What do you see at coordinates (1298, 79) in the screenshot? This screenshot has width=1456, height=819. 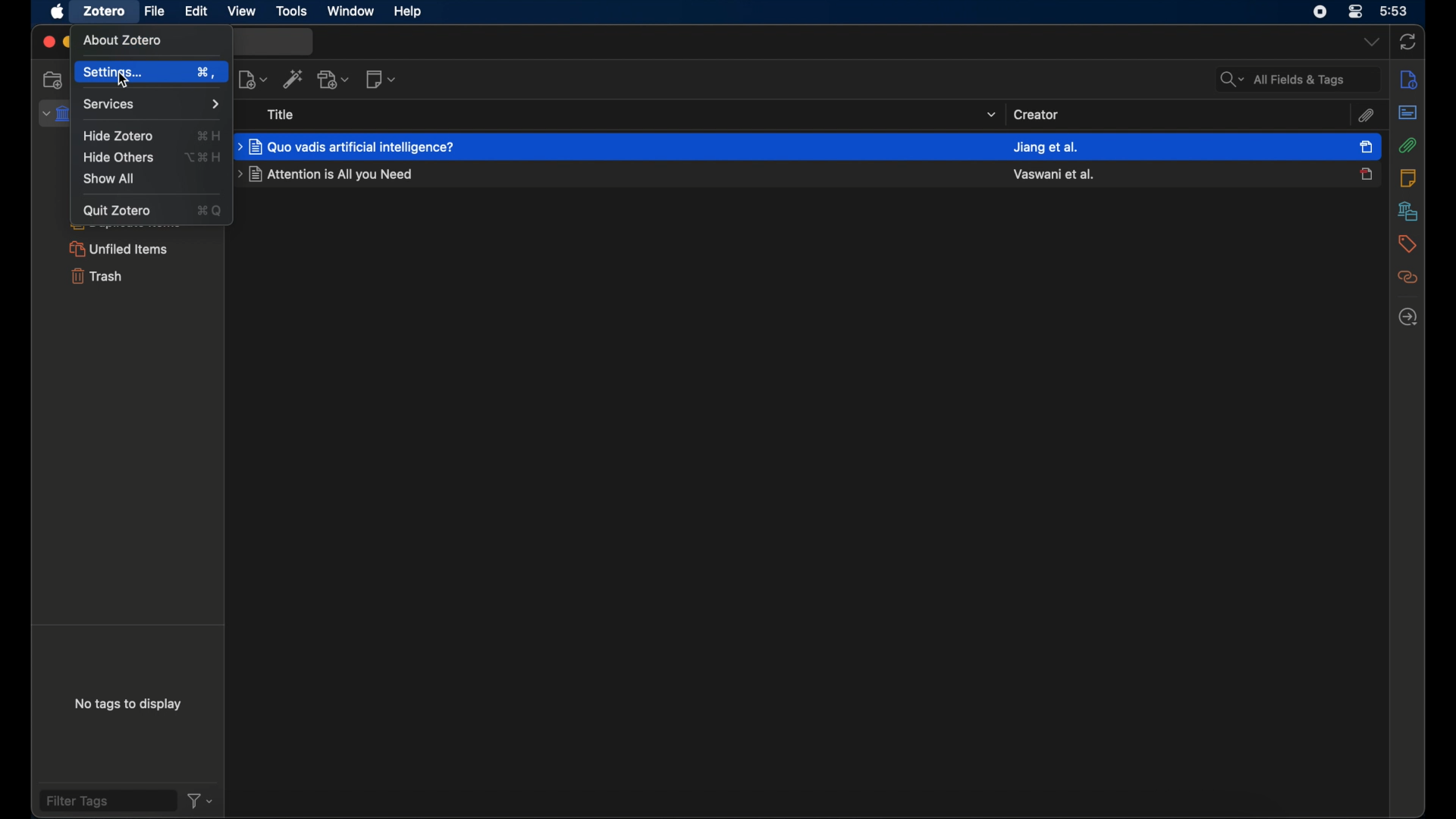 I see `search fields and tags` at bounding box center [1298, 79].